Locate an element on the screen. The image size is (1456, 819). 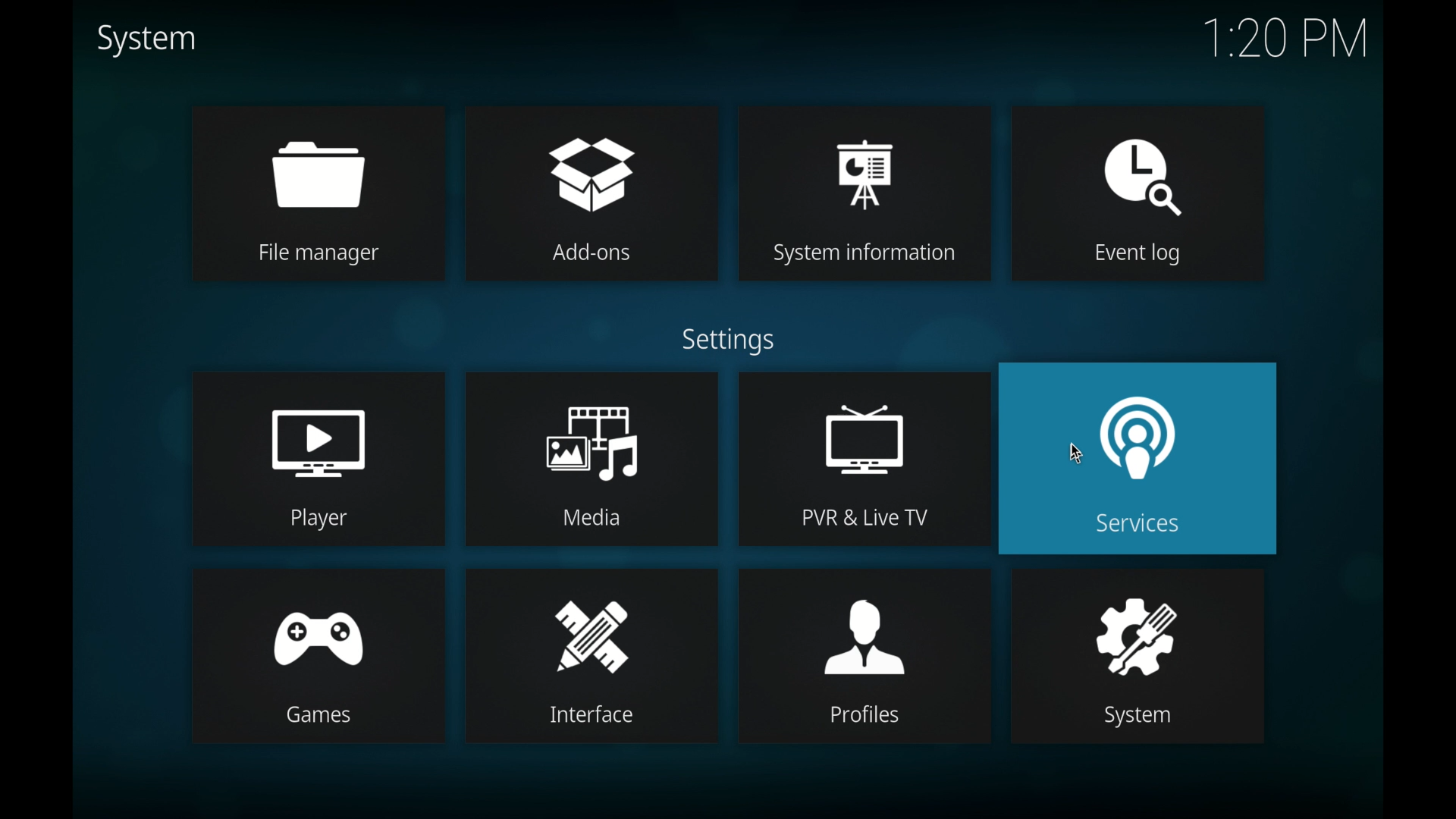
system is located at coordinates (146, 40).